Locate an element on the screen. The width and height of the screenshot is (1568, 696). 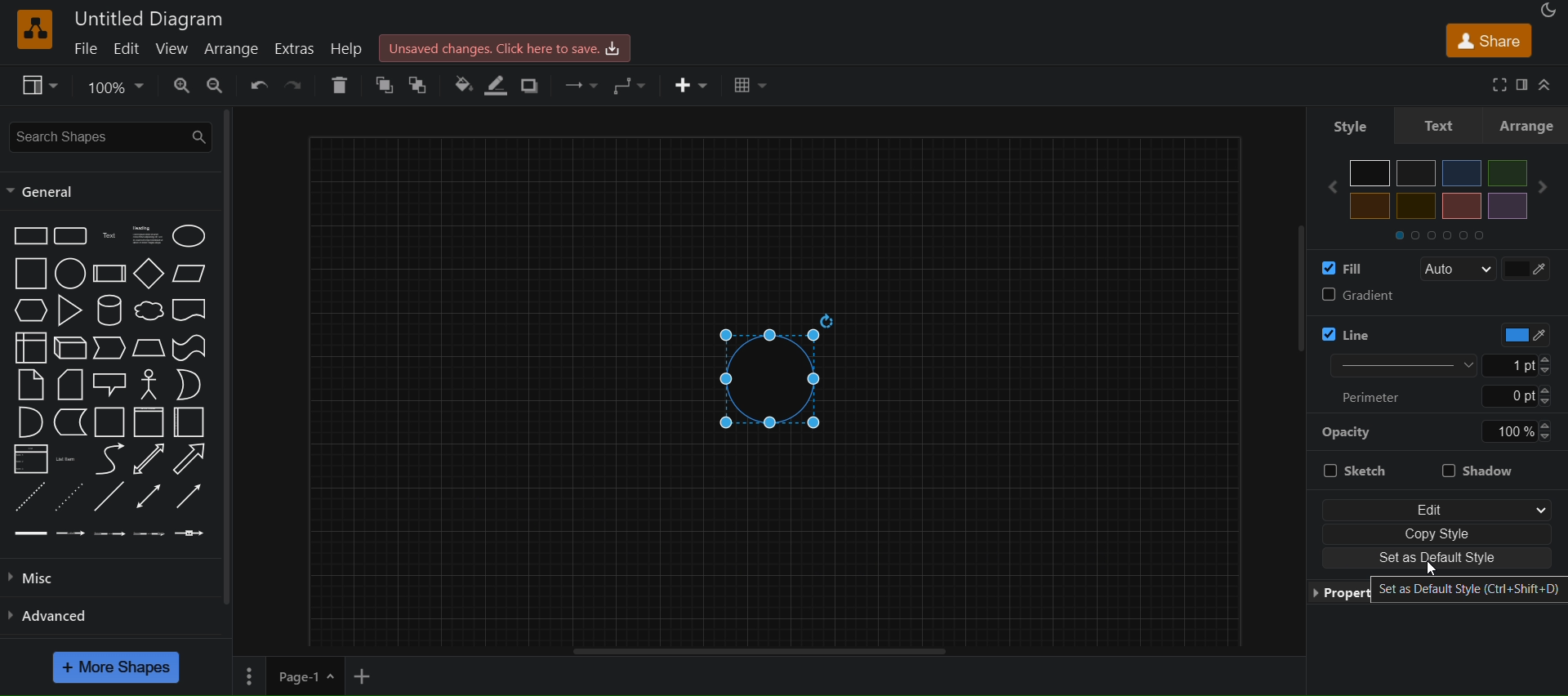
square is located at coordinates (30, 274).